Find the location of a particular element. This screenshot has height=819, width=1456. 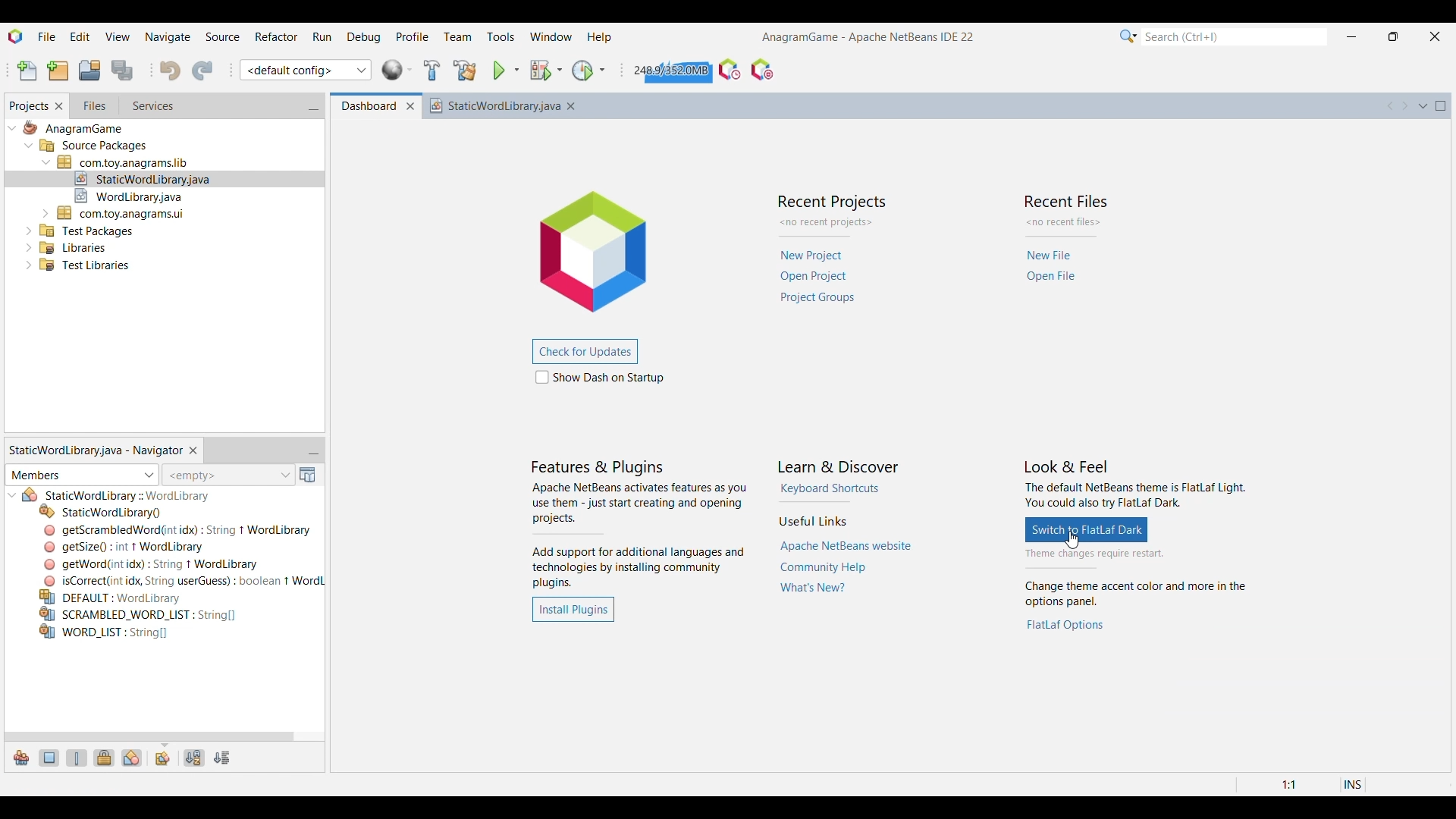

Scroll documents right is located at coordinates (1404, 106).